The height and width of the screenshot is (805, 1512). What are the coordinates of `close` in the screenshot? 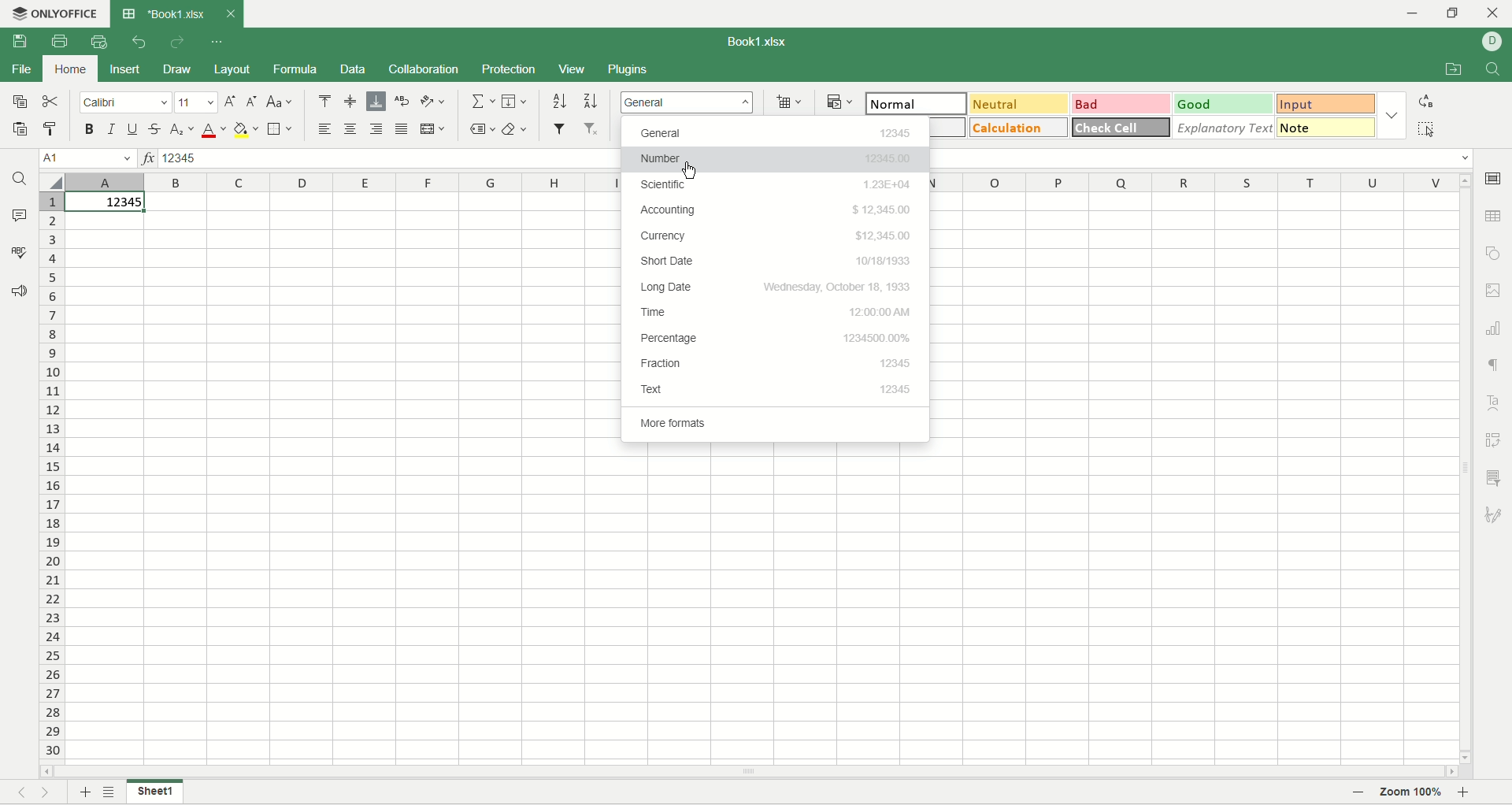 It's located at (226, 17).